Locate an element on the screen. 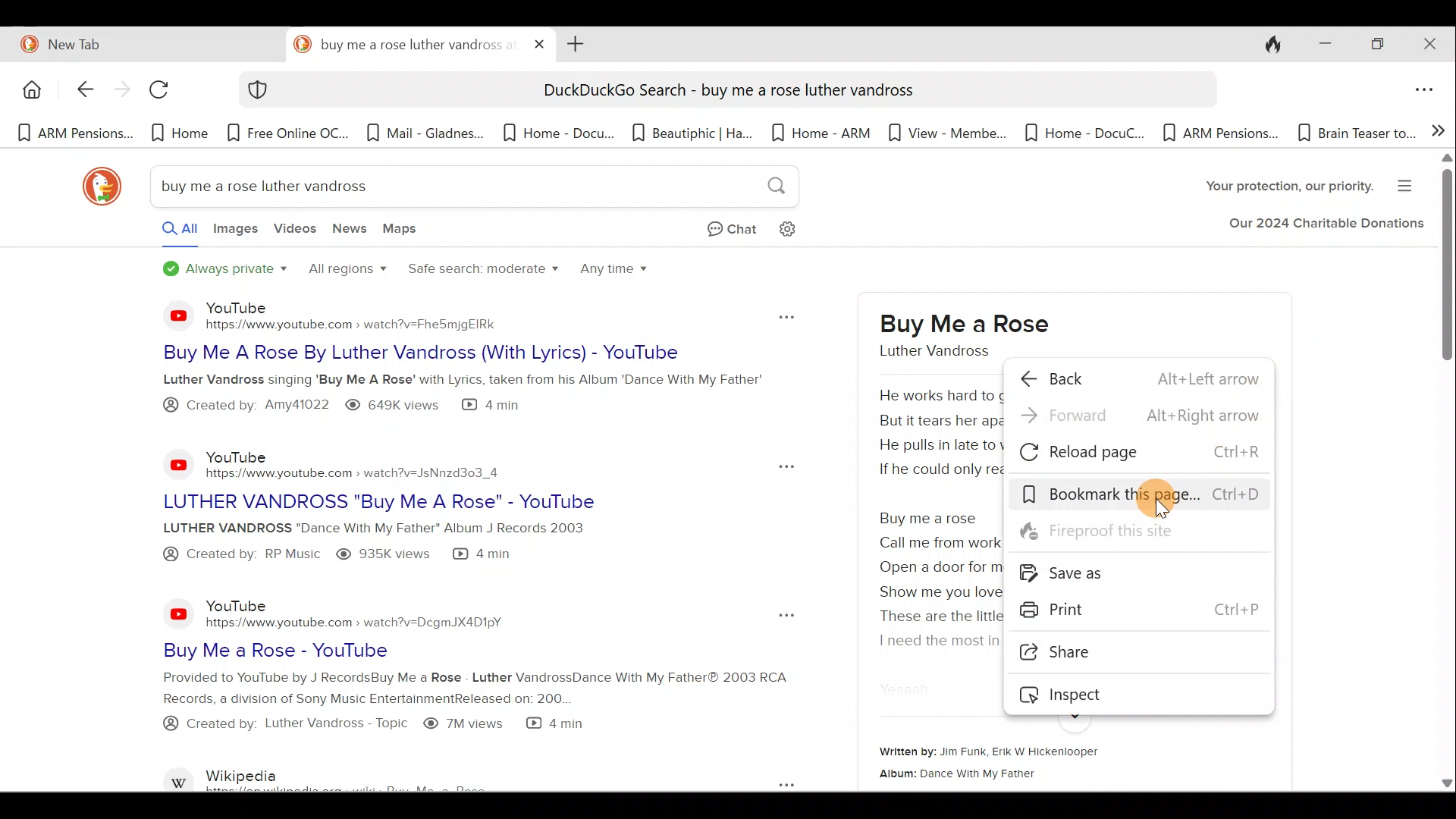 This screenshot has height=819, width=1456. New Tab is located at coordinates (140, 42).